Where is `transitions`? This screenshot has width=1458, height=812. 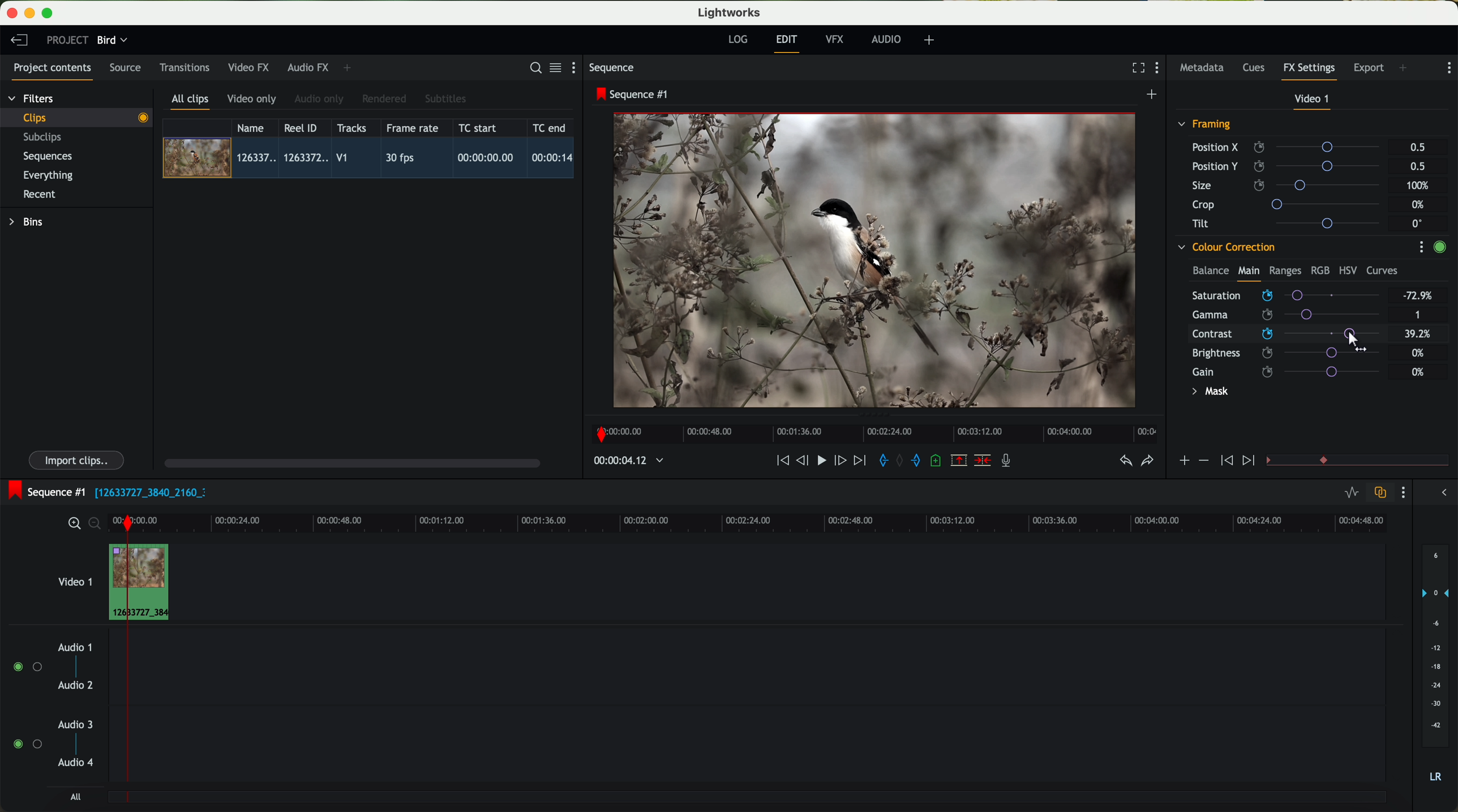 transitions is located at coordinates (184, 67).